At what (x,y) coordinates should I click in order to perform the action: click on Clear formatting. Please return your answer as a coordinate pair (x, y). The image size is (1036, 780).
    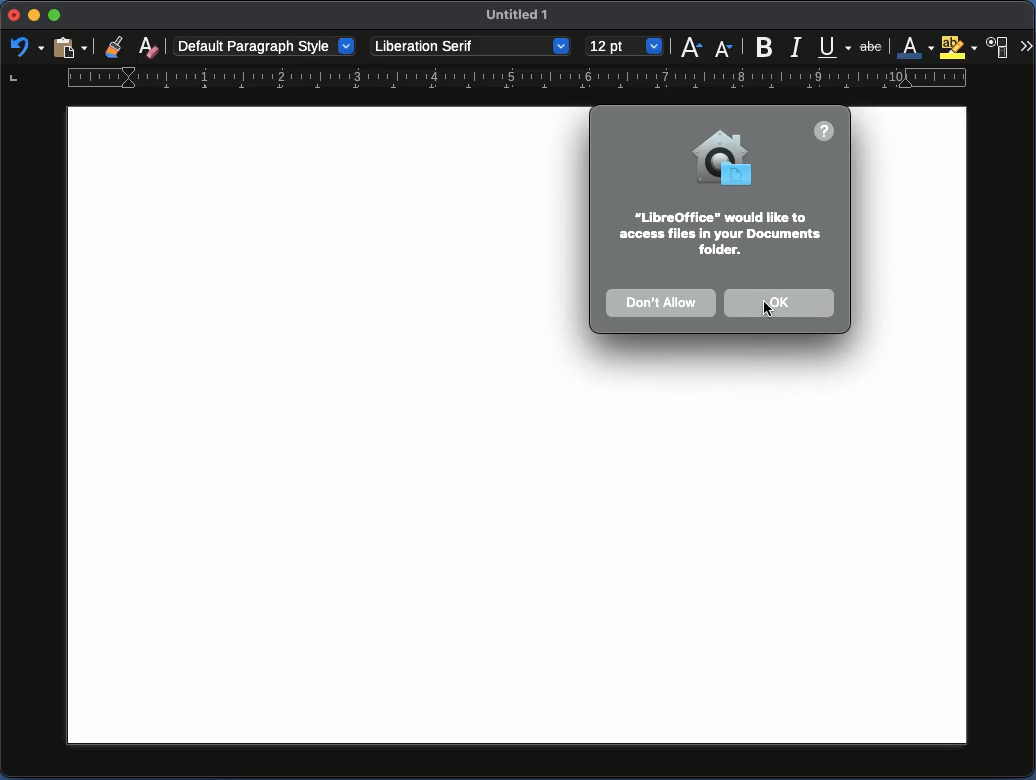
    Looking at the image, I should click on (148, 45).